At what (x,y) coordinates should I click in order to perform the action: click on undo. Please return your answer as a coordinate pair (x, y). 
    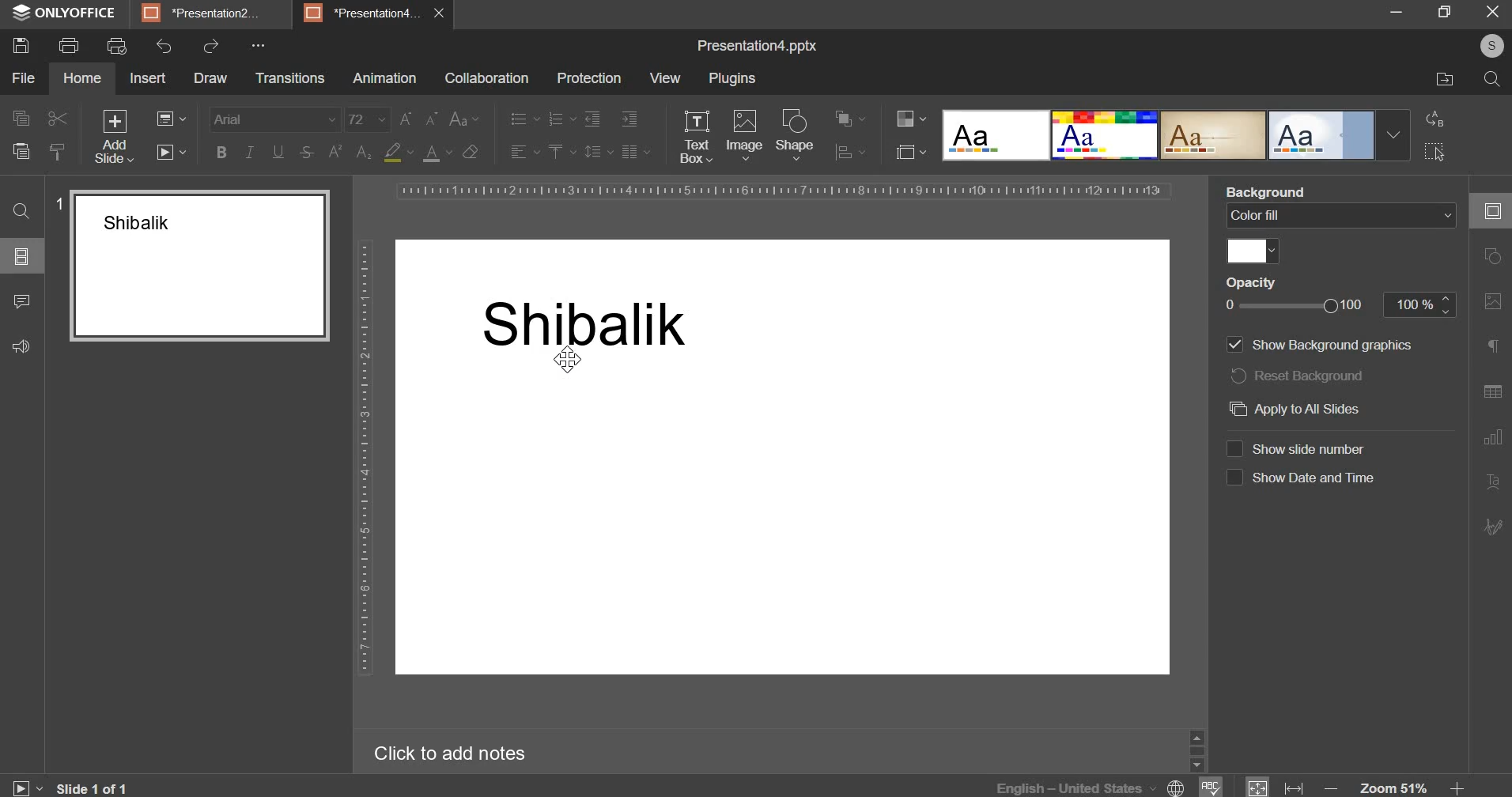
    Looking at the image, I should click on (164, 45).